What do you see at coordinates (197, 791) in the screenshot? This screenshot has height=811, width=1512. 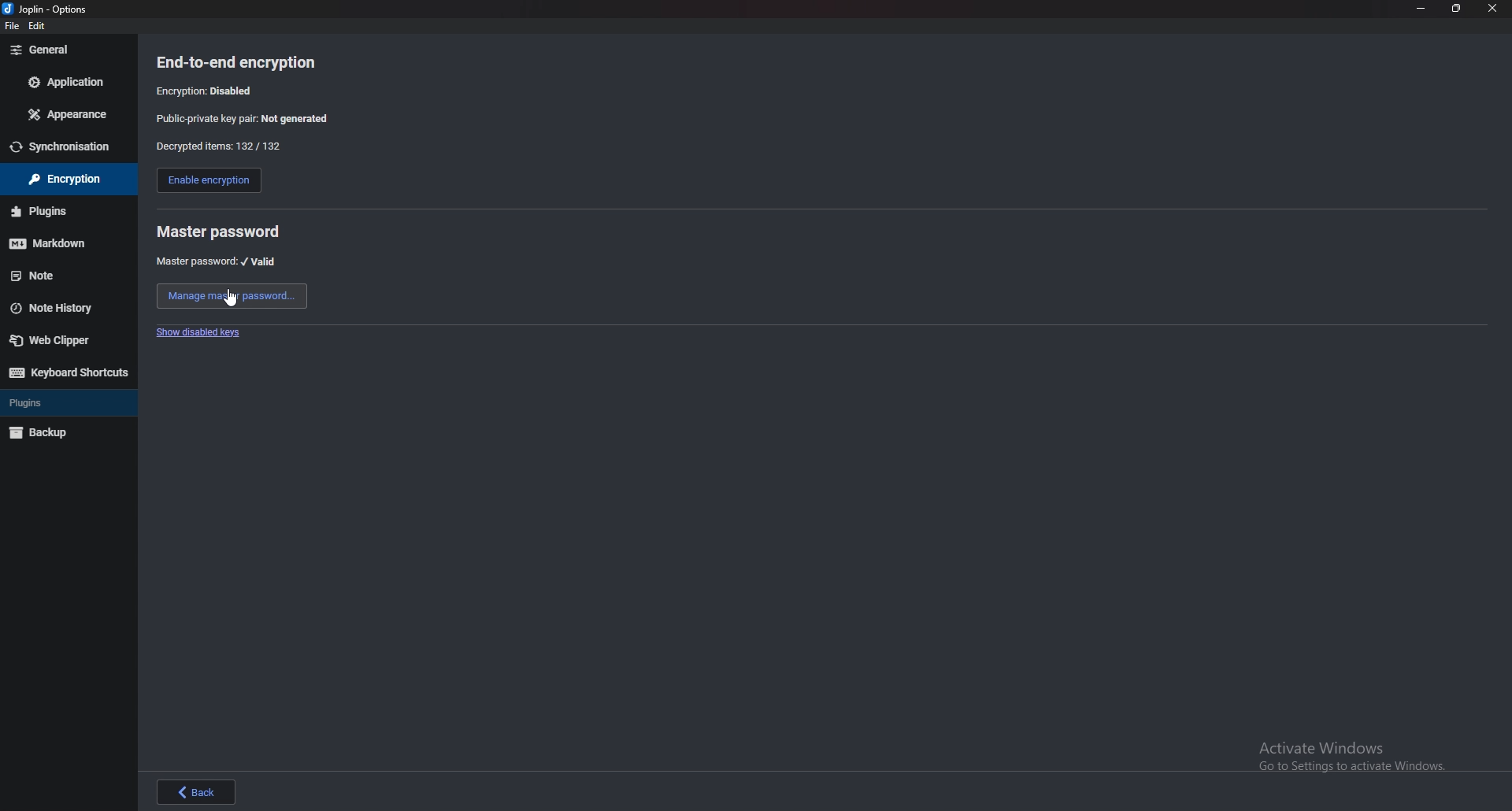 I see `back` at bounding box center [197, 791].